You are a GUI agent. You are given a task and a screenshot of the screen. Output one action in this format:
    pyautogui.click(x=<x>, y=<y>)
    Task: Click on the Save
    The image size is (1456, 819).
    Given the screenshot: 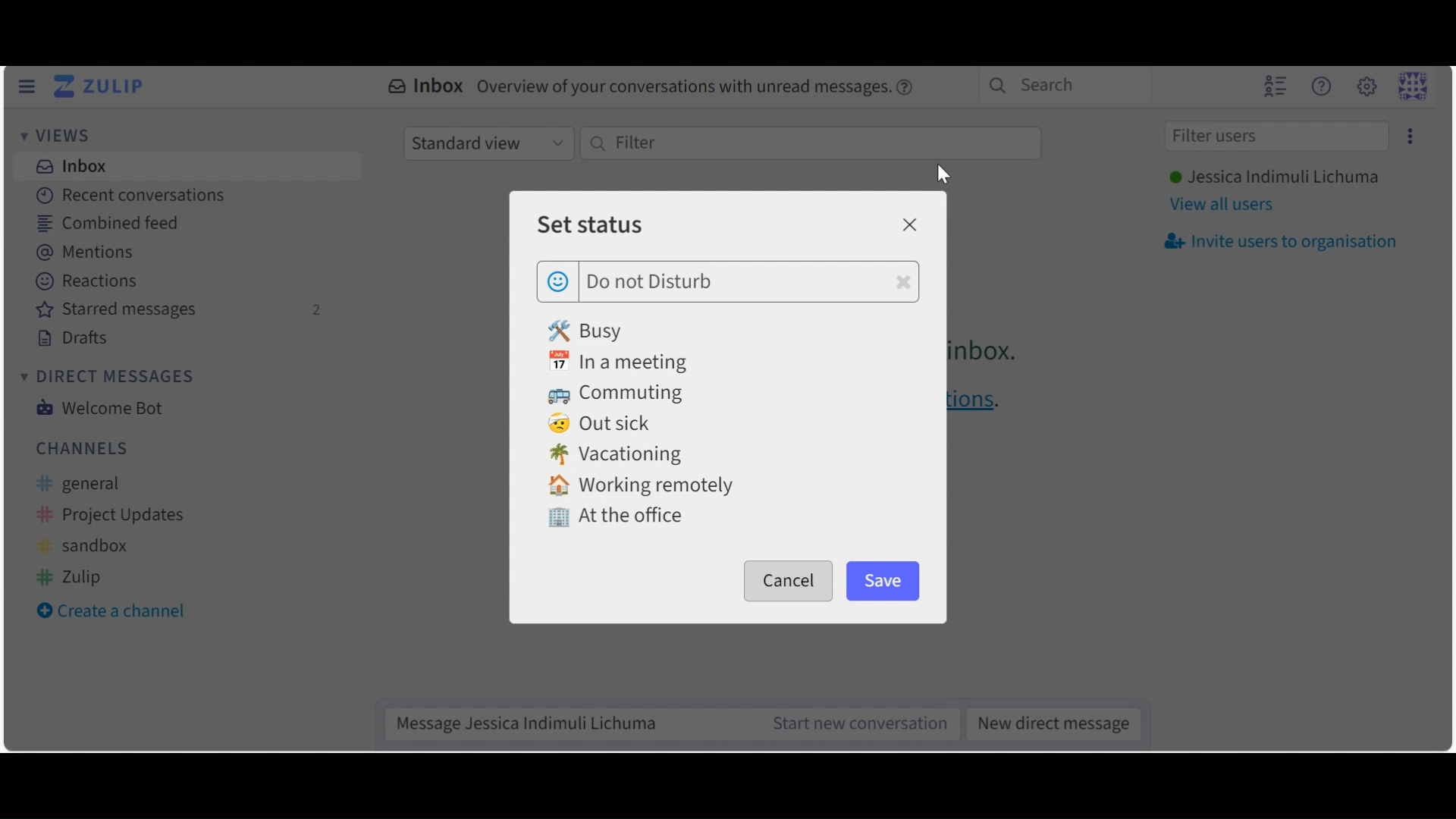 What is the action you would take?
    pyautogui.click(x=884, y=580)
    